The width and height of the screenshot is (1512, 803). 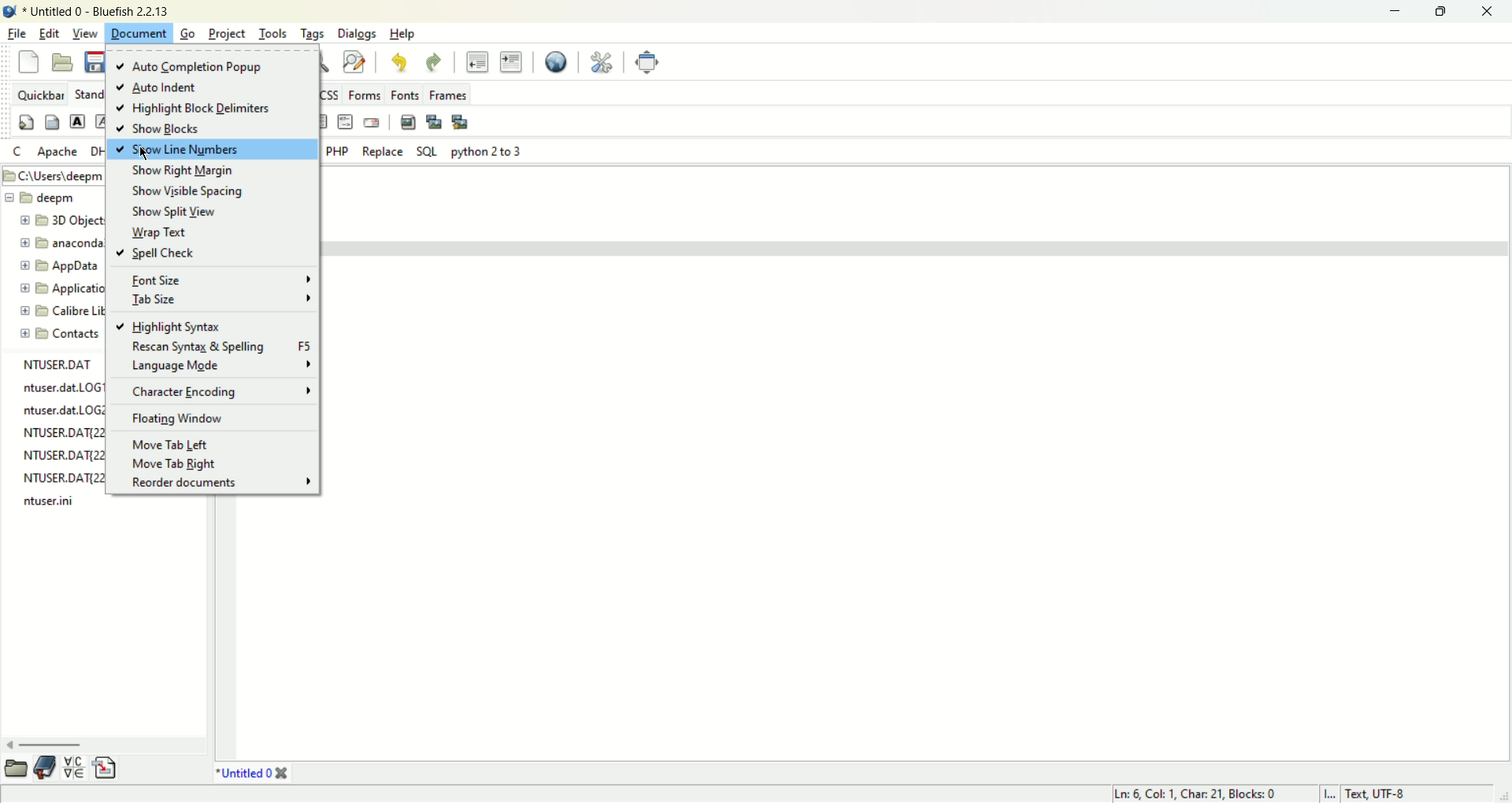 What do you see at coordinates (476, 61) in the screenshot?
I see `unindent` at bounding box center [476, 61].